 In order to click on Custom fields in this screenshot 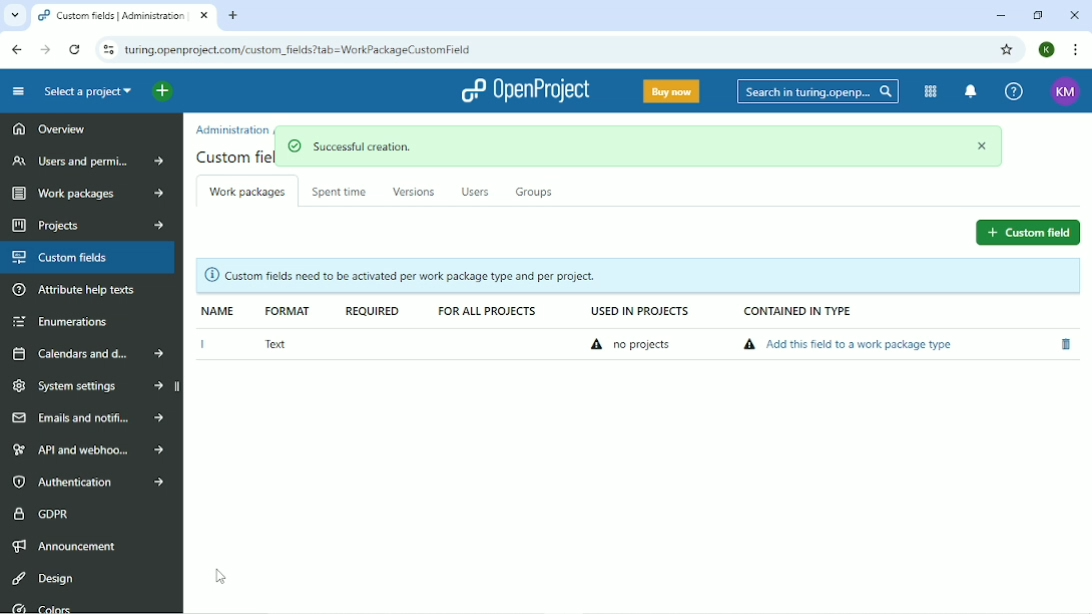, I will do `click(89, 258)`.